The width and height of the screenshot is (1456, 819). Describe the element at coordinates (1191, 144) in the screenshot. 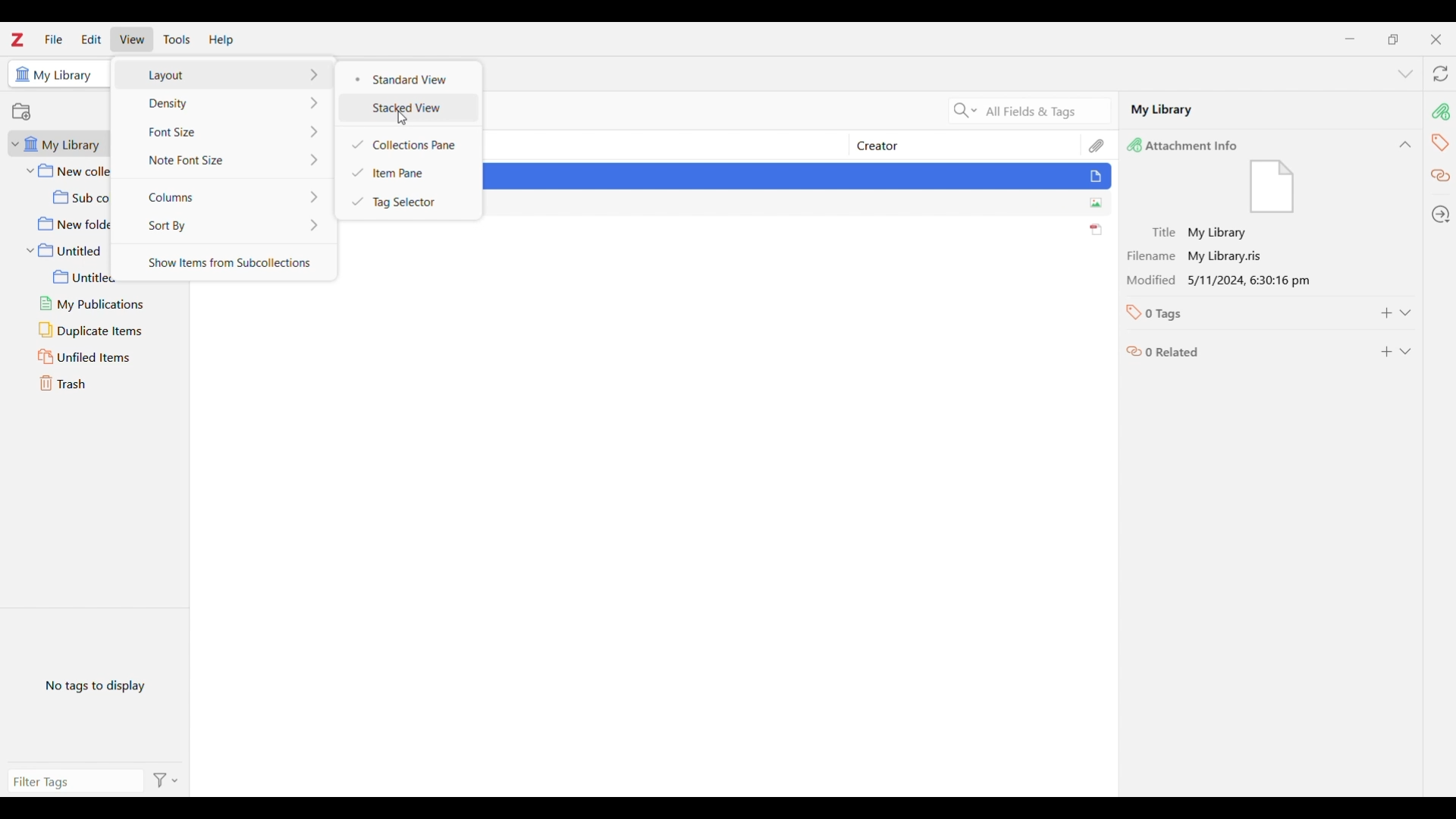

I see `Attachments info` at that location.